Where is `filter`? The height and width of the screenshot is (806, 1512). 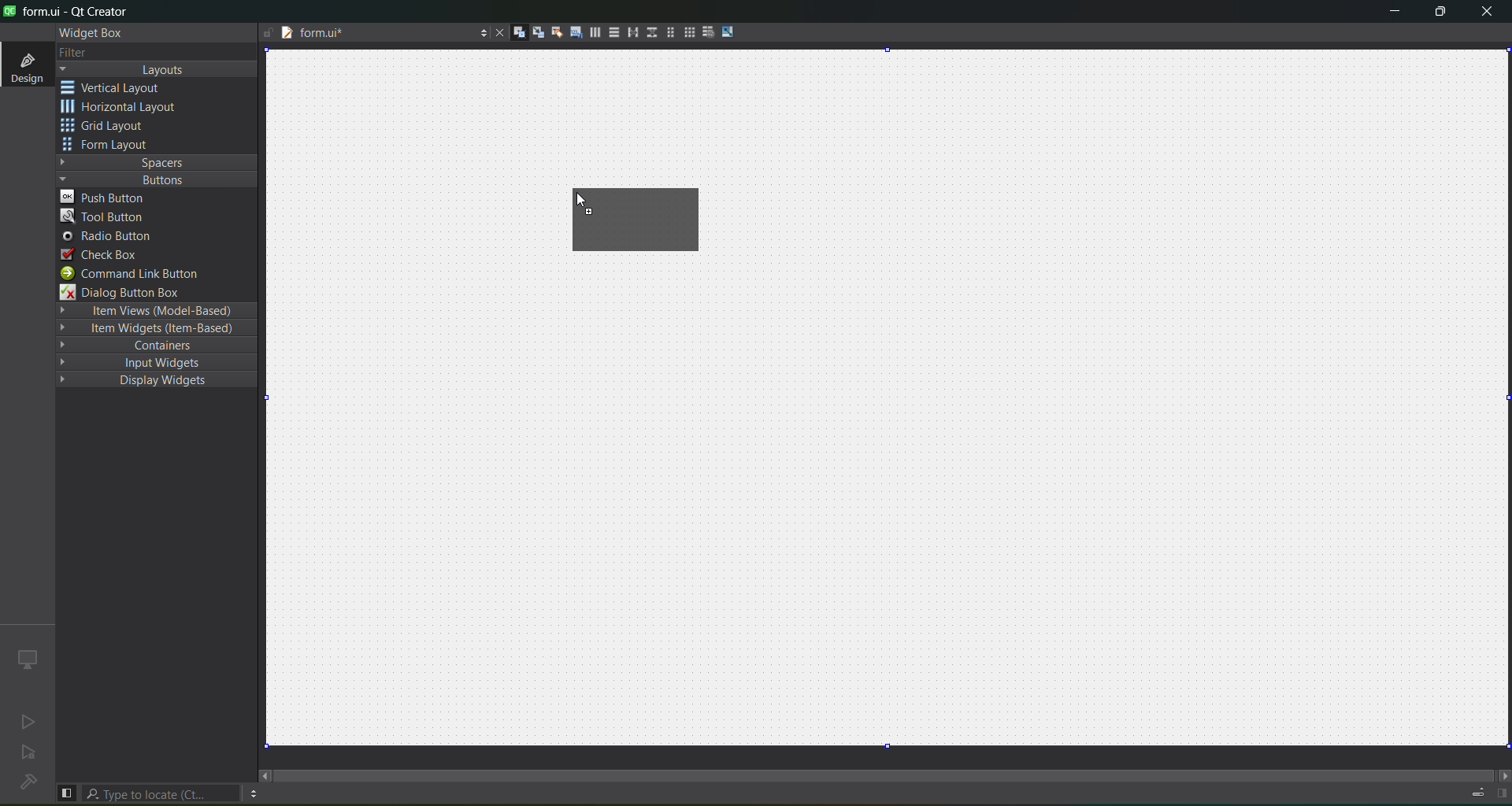 filter is located at coordinates (72, 52).